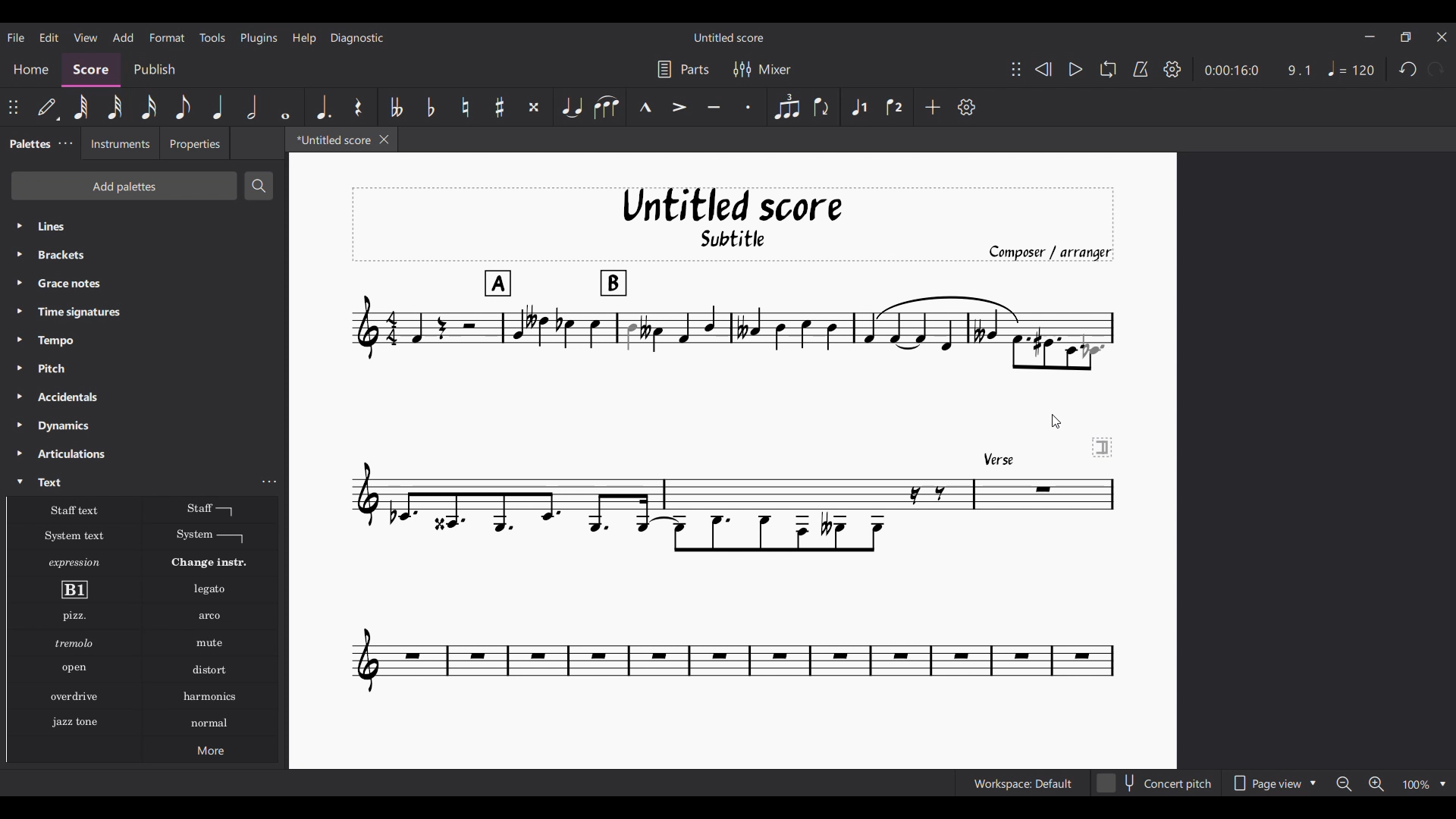 The height and width of the screenshot is (819, 1456). I want to click on Staff text, so click(75, 509).